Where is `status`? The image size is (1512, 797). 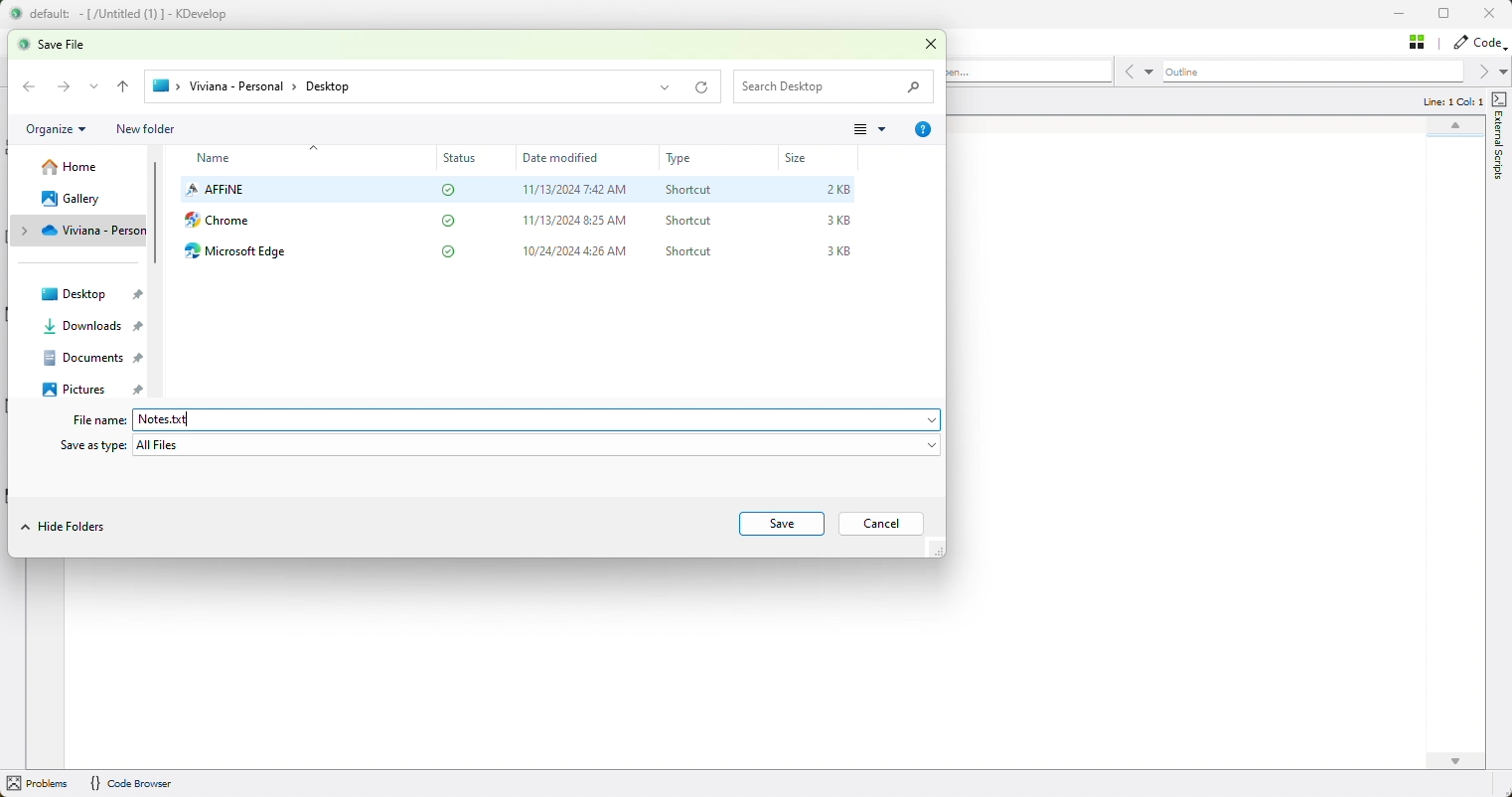
status is located at coordinates (464, 159).